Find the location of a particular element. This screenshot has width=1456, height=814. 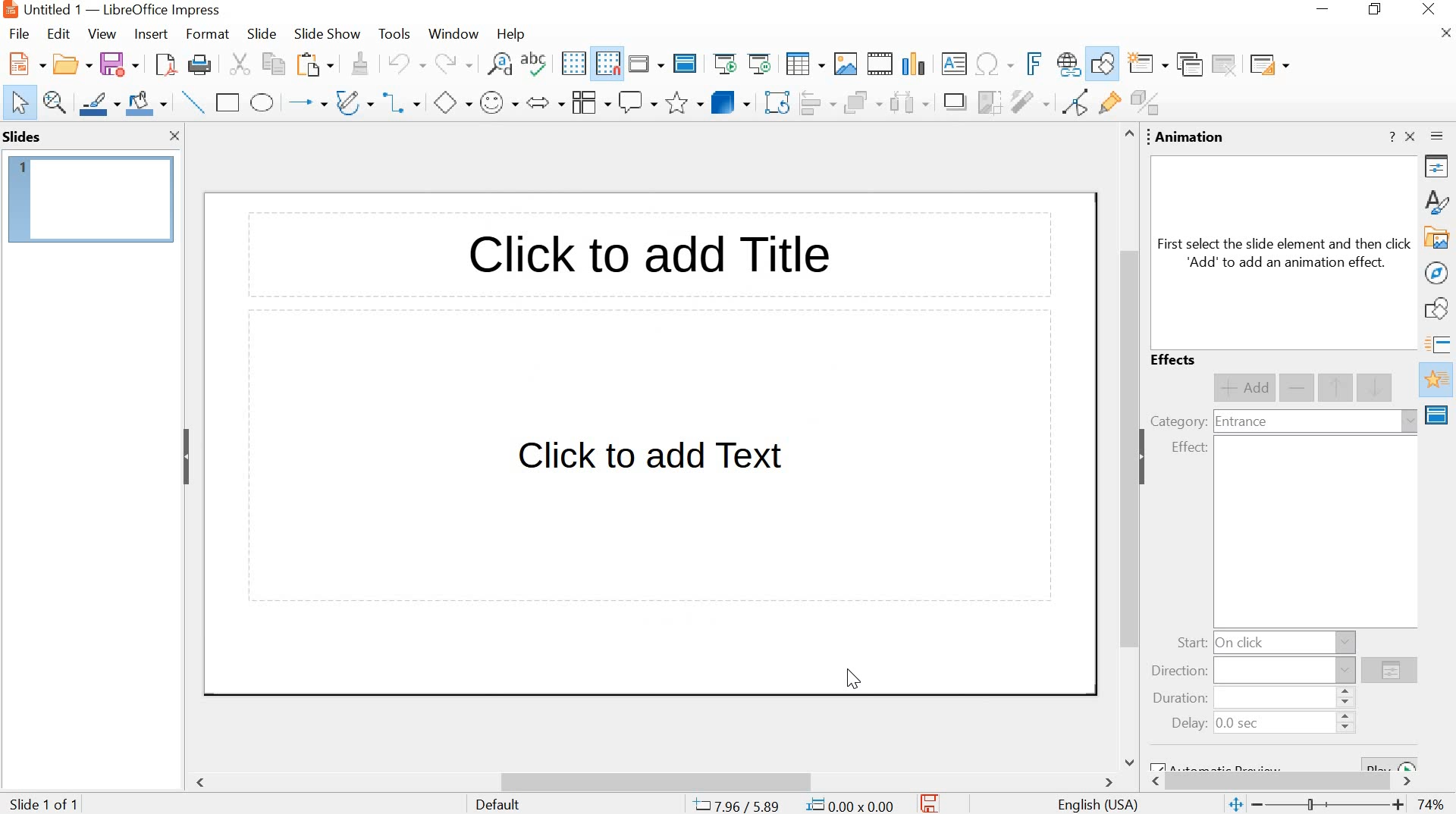

entrance is located at coordinates (1241, 423).